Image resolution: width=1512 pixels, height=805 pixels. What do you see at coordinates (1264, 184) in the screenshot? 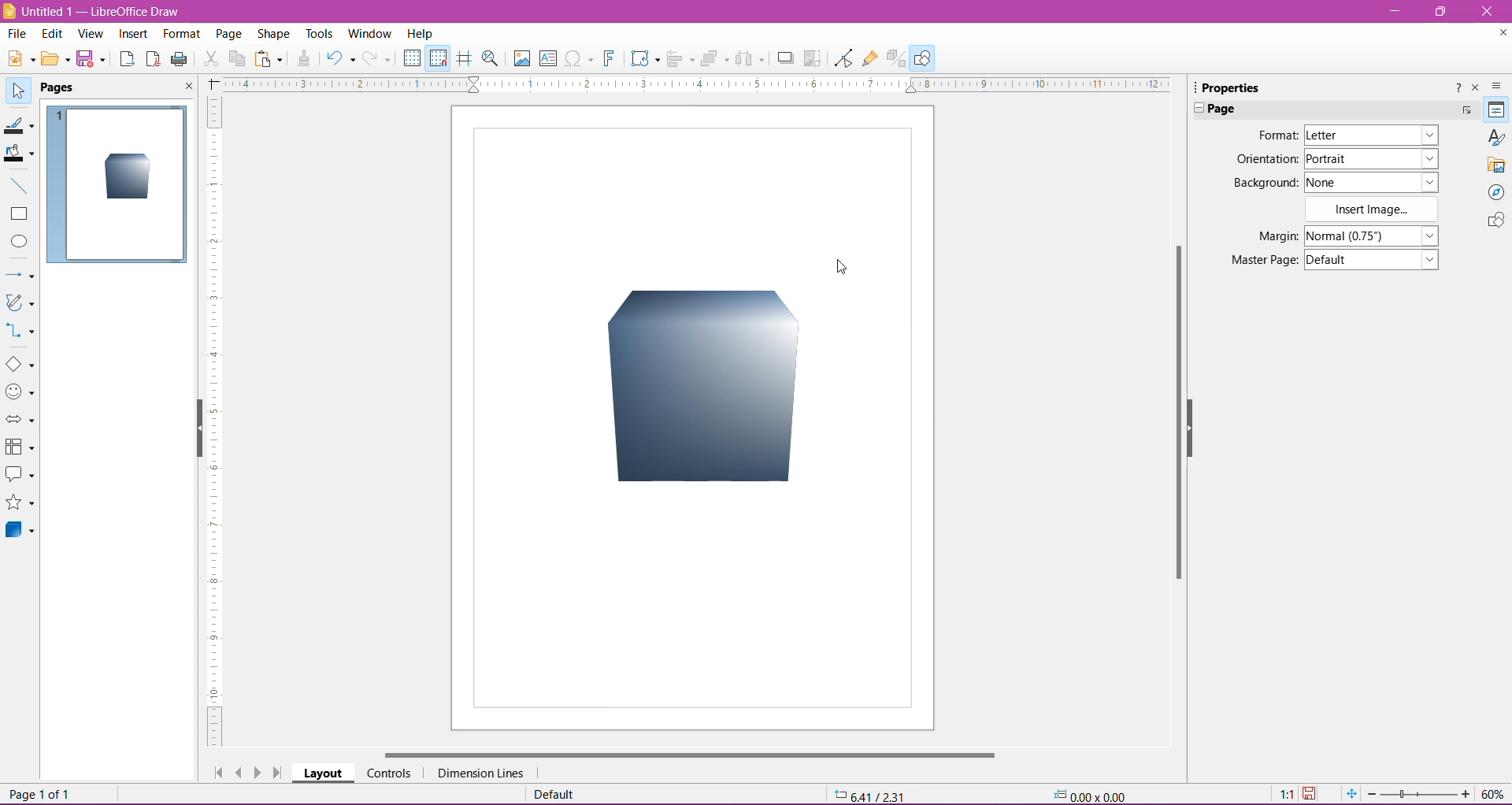
I see `Background` at bounding box center [1264, 184].